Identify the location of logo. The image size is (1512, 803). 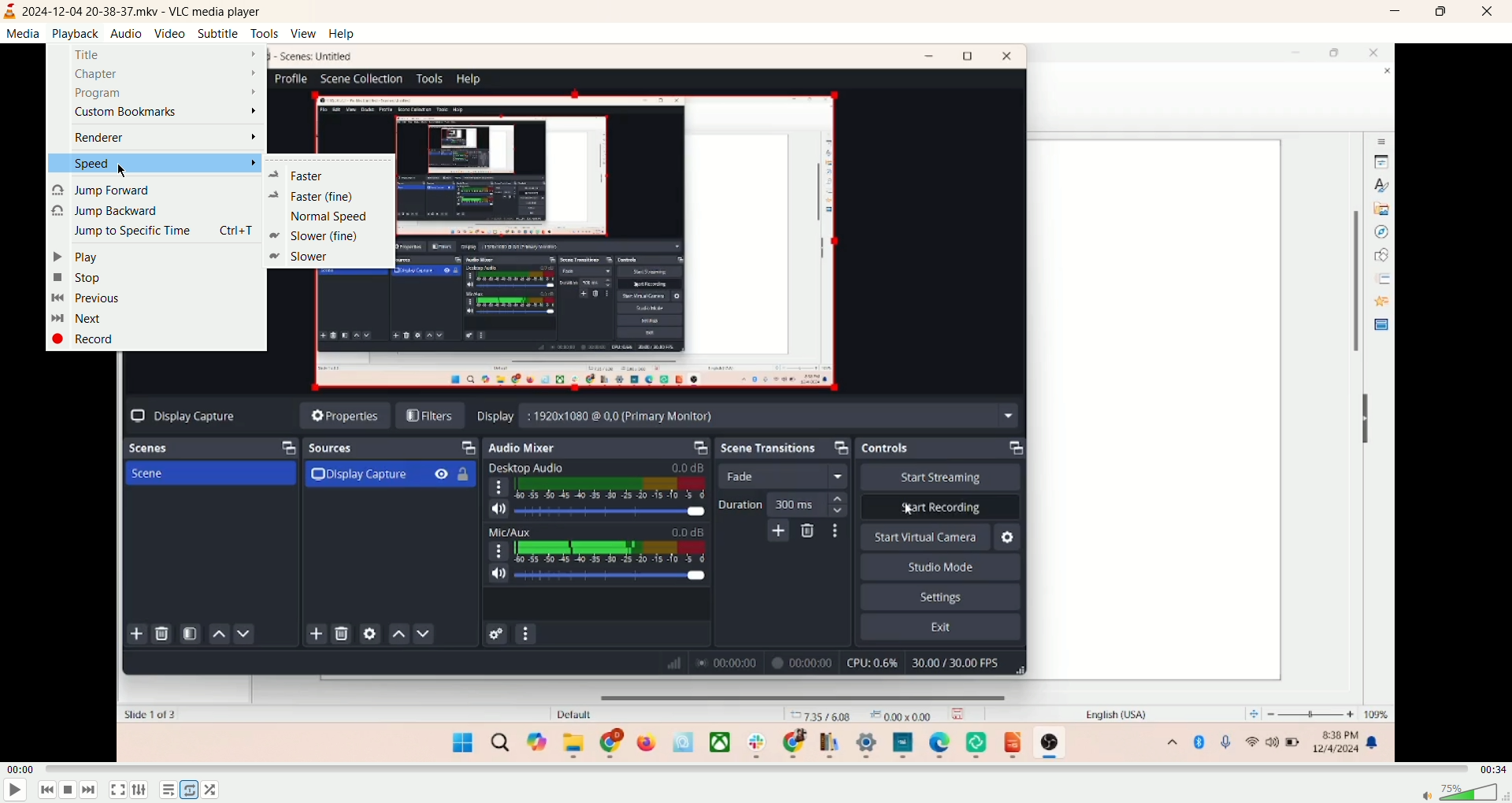
(11, 12).